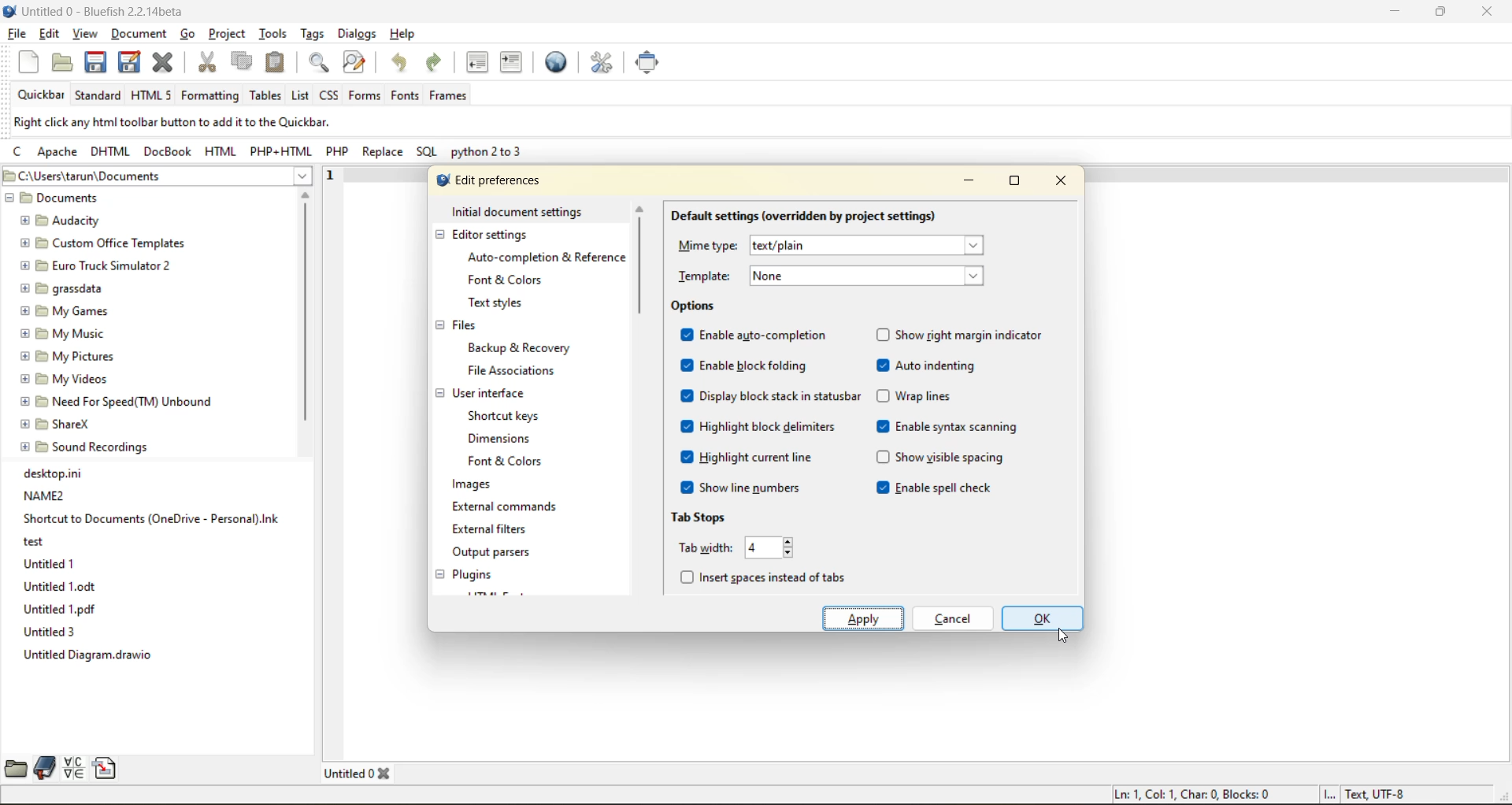 The height and width of the screenshot is (805, 1512). What do you see at coordinates (57, 587) in the screenshot?
I see `Untitled 1.odt` at bounding box center [57, 587].